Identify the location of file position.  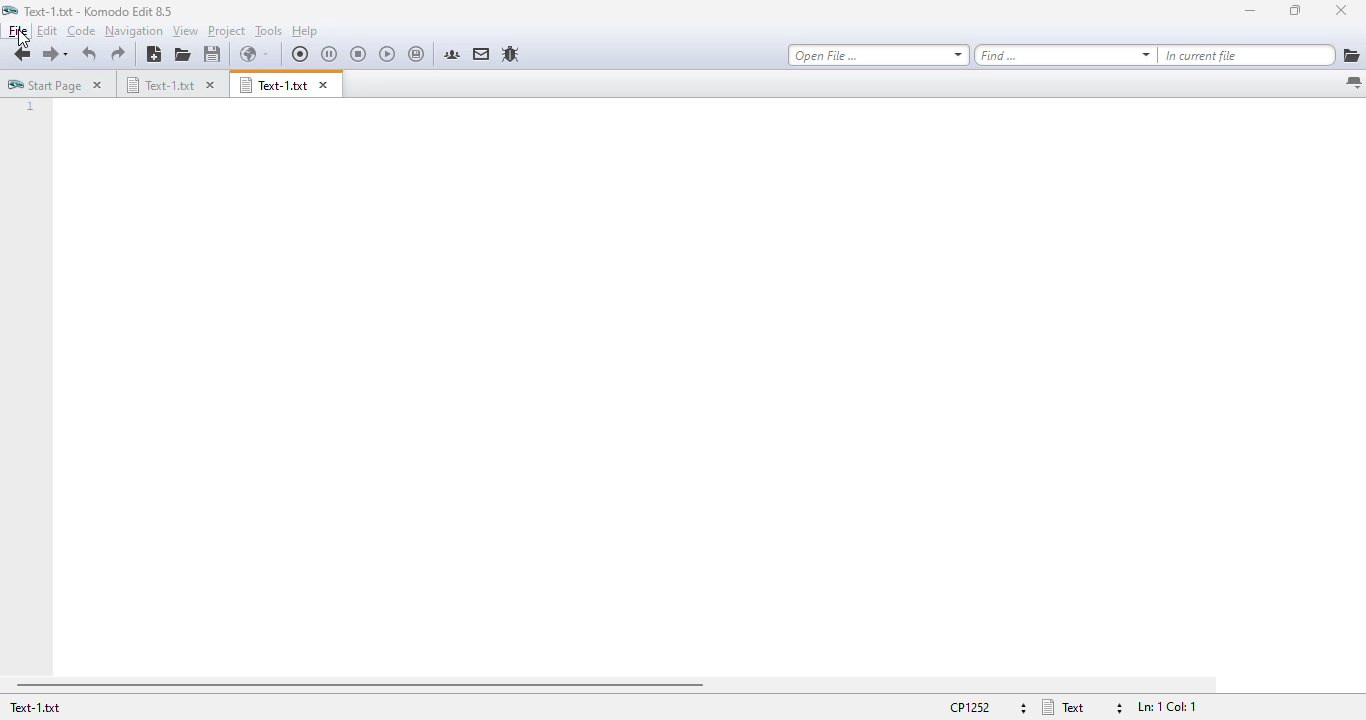
(1165, 707).